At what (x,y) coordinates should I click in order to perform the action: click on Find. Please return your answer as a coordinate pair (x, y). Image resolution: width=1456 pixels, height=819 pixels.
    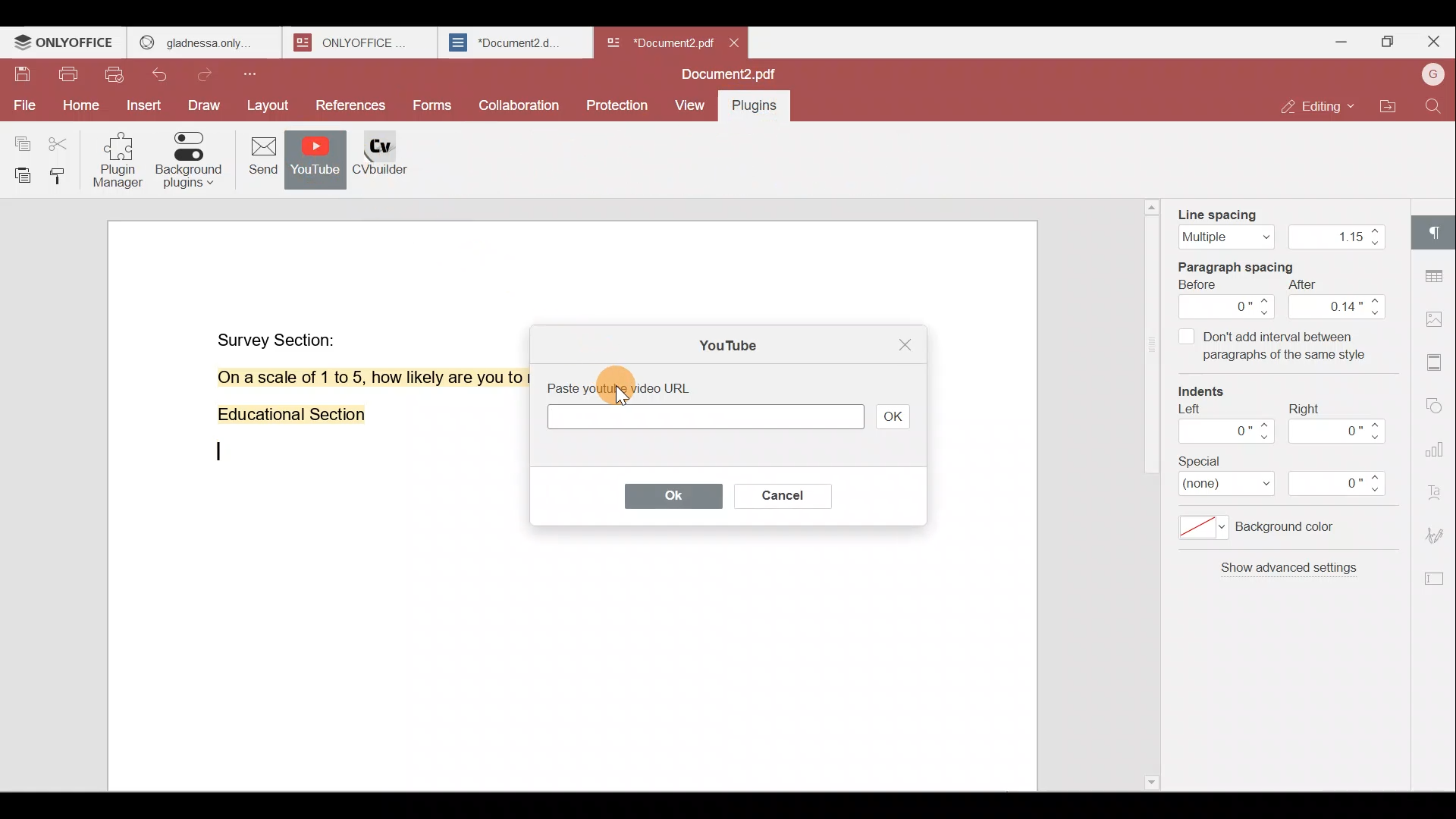
    Looking at the image, I should click on (1436, 106).